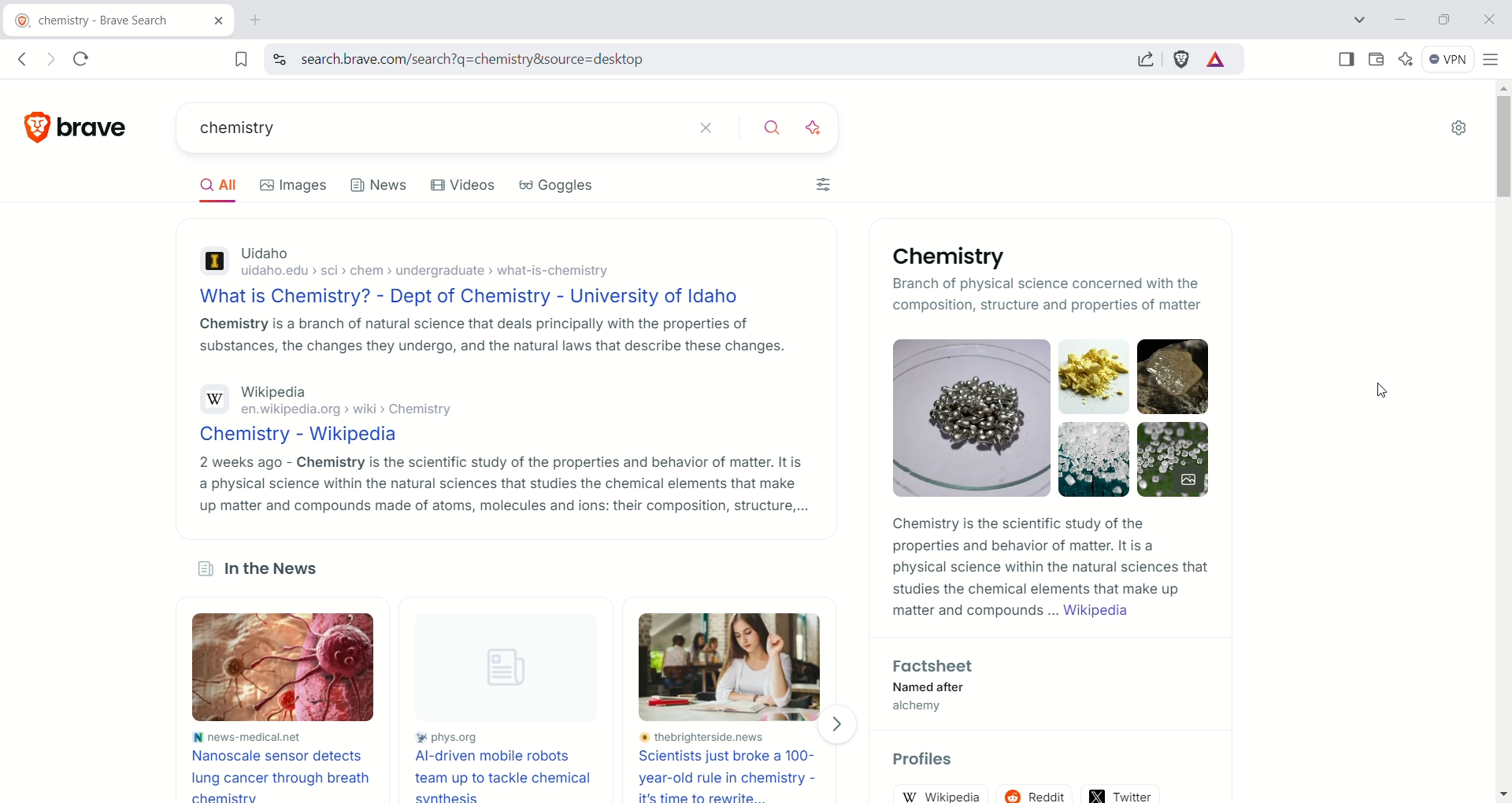 This screenshot has height=803, width=1512. What do you see at coordinates (735, 667) in the screenshot?
I see `image` at bounding box center [735, 667].